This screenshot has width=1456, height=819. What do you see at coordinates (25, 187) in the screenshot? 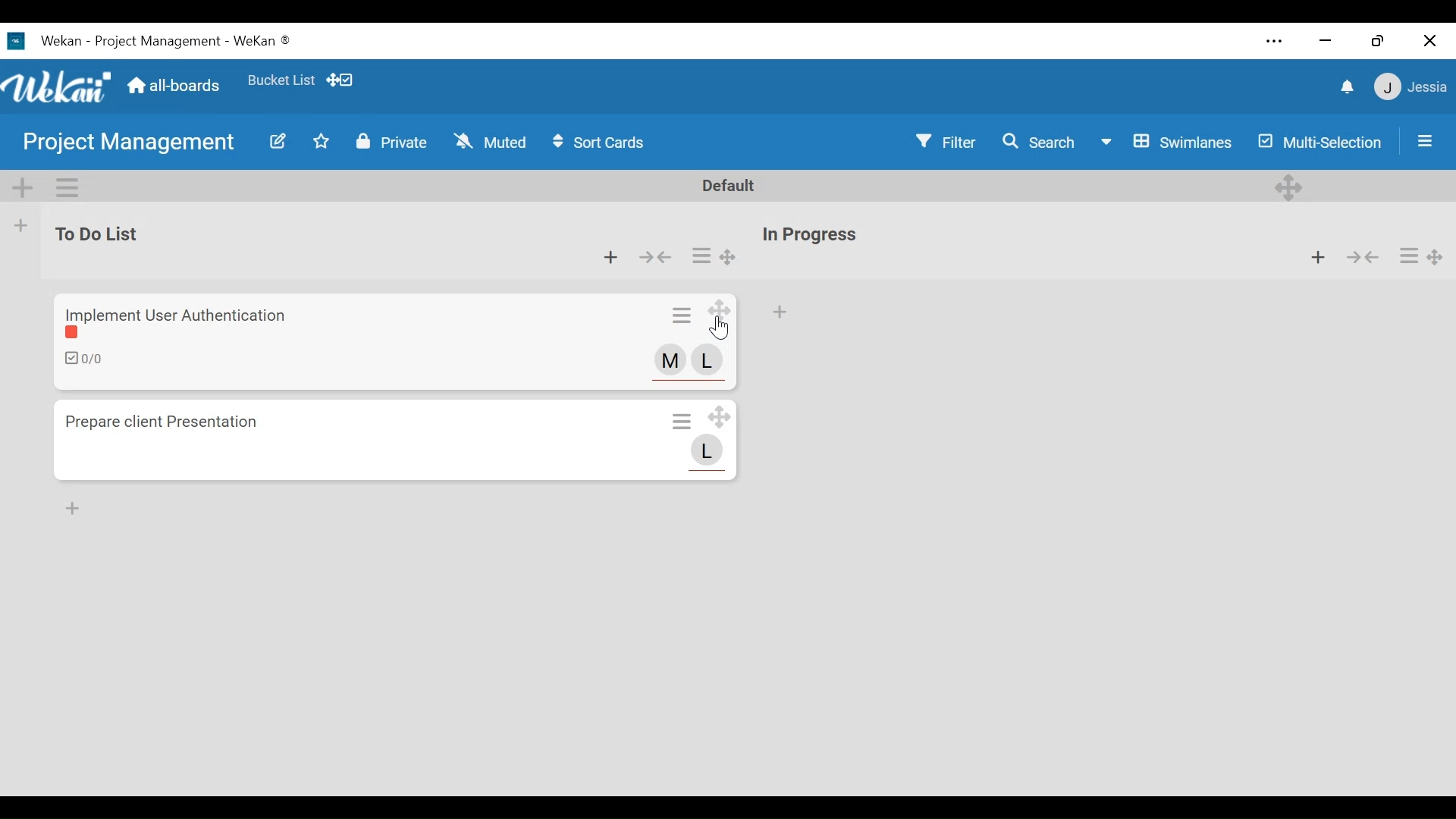
I see `Add SWimlane` at bounding box center [25, 187].